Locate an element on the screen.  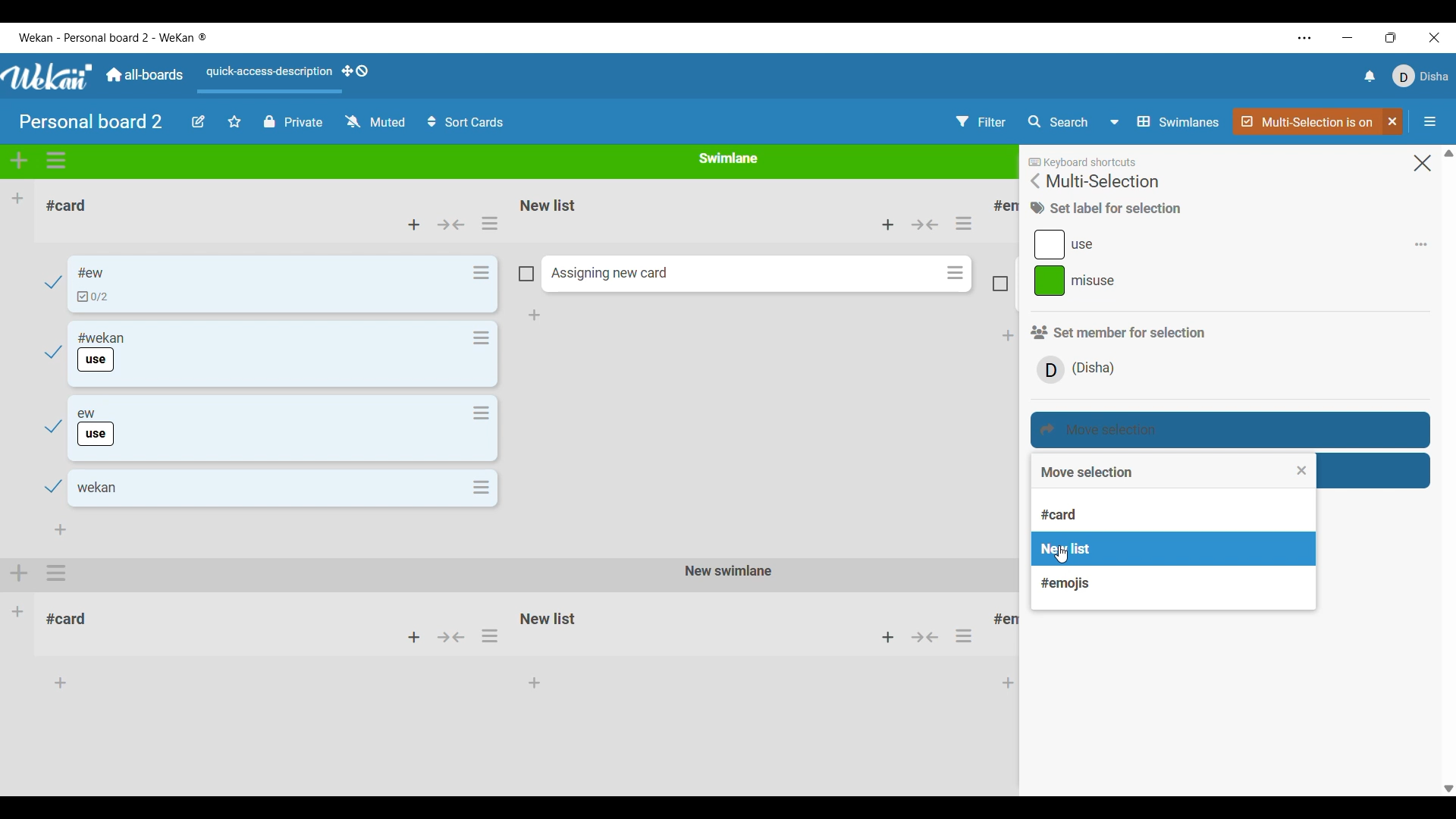
Sort cards is located at coordinates (466, 122).